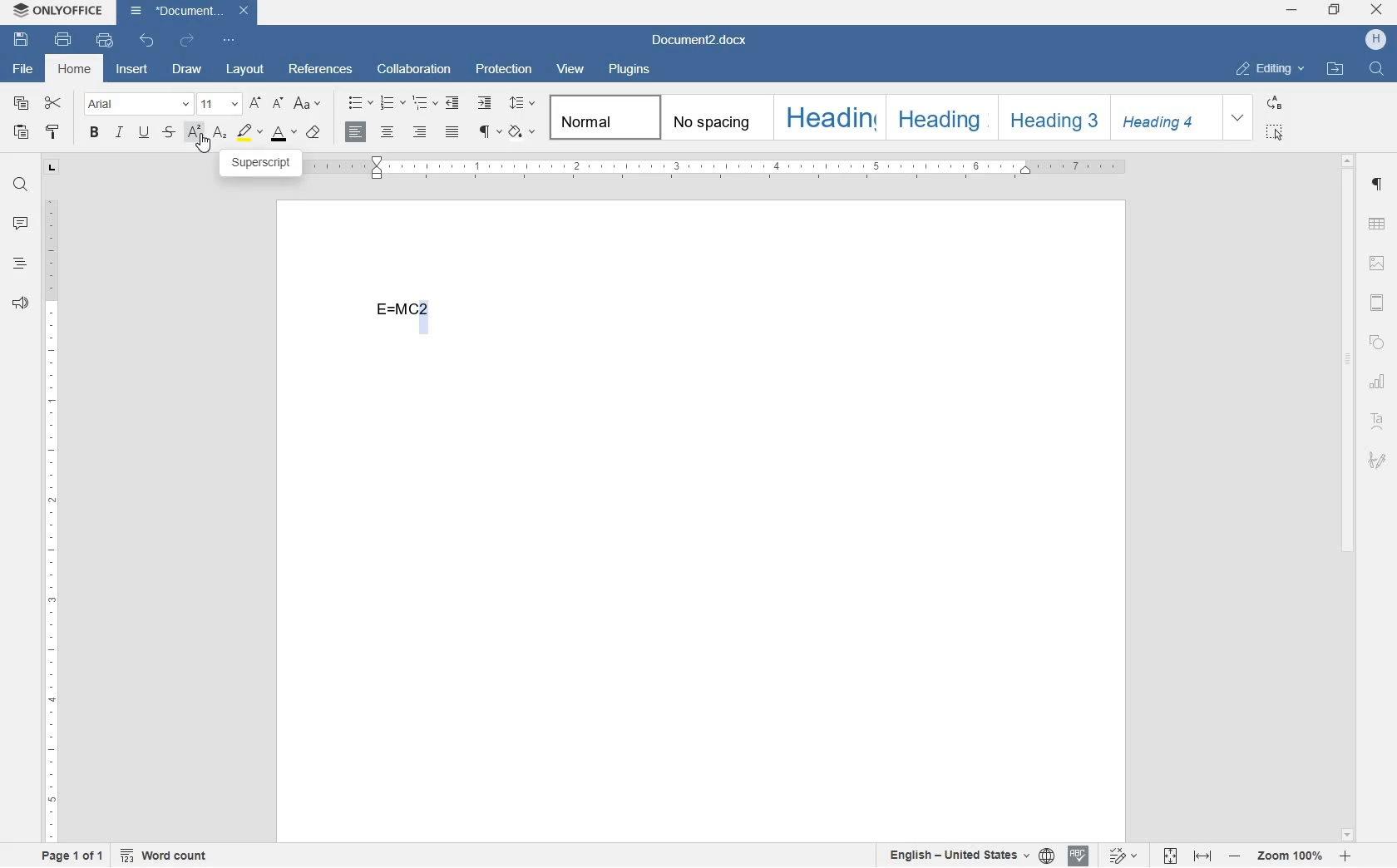 Image resolution: width=1397 pixels, height=868 pixels. Describe the element at coordinates (93, 131) in the screenshot. I see `bold` at that location.